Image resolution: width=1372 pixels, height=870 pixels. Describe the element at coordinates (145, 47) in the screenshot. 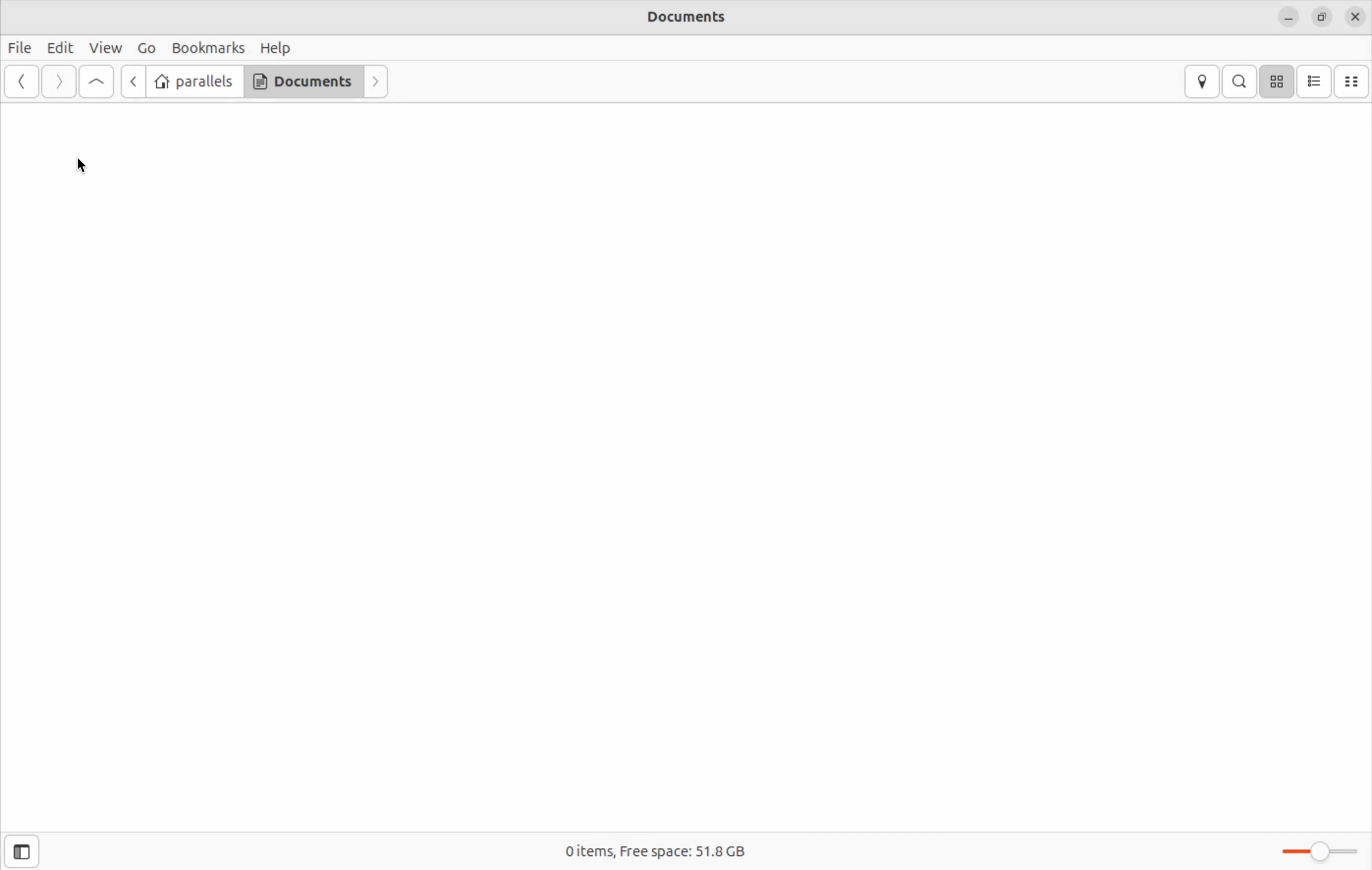

I see `Go` at that location.